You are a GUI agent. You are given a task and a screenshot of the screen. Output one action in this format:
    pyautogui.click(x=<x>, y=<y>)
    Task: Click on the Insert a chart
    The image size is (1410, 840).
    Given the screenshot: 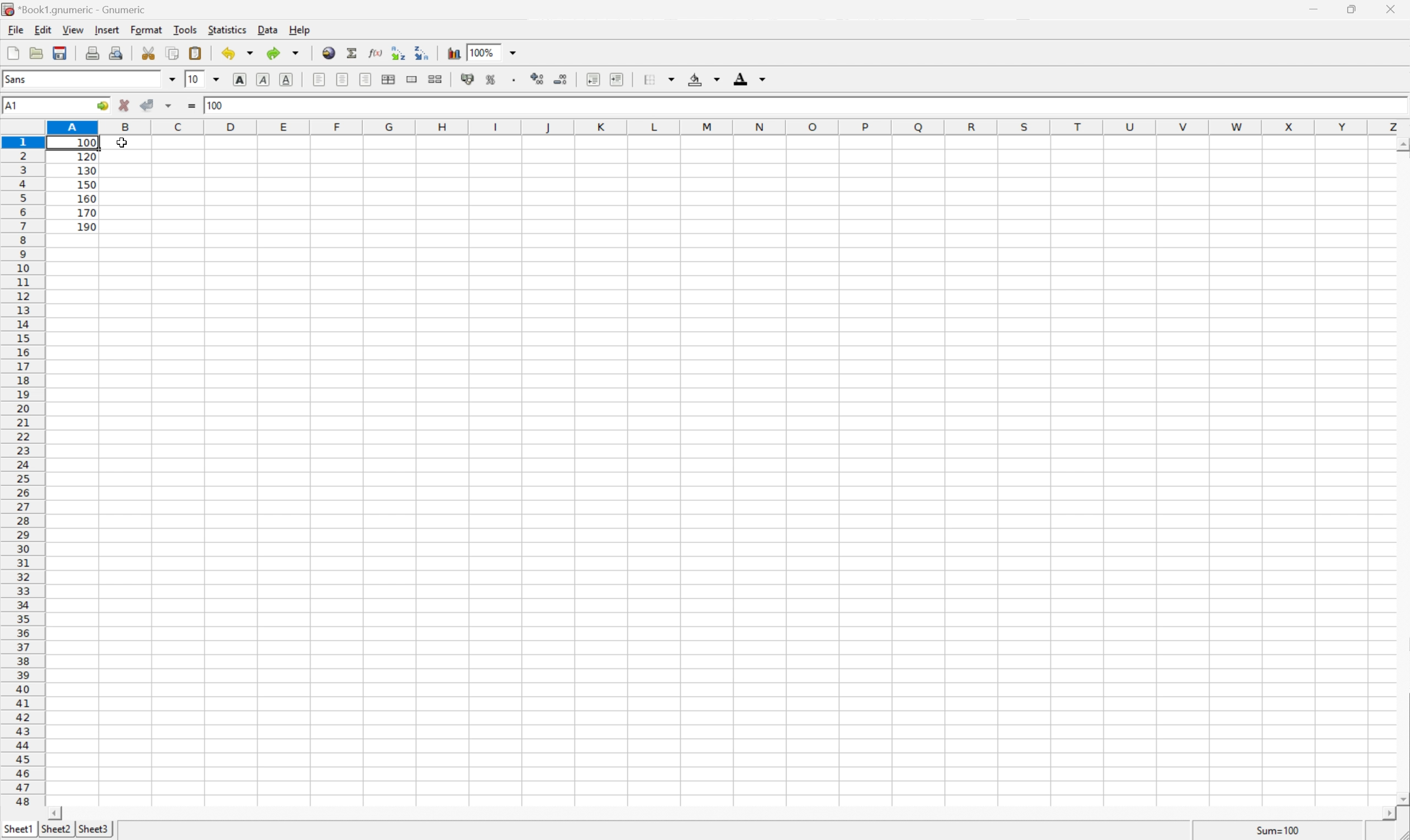 What is the action you would take?
    pyautogui.click(x=453, y=52)
    